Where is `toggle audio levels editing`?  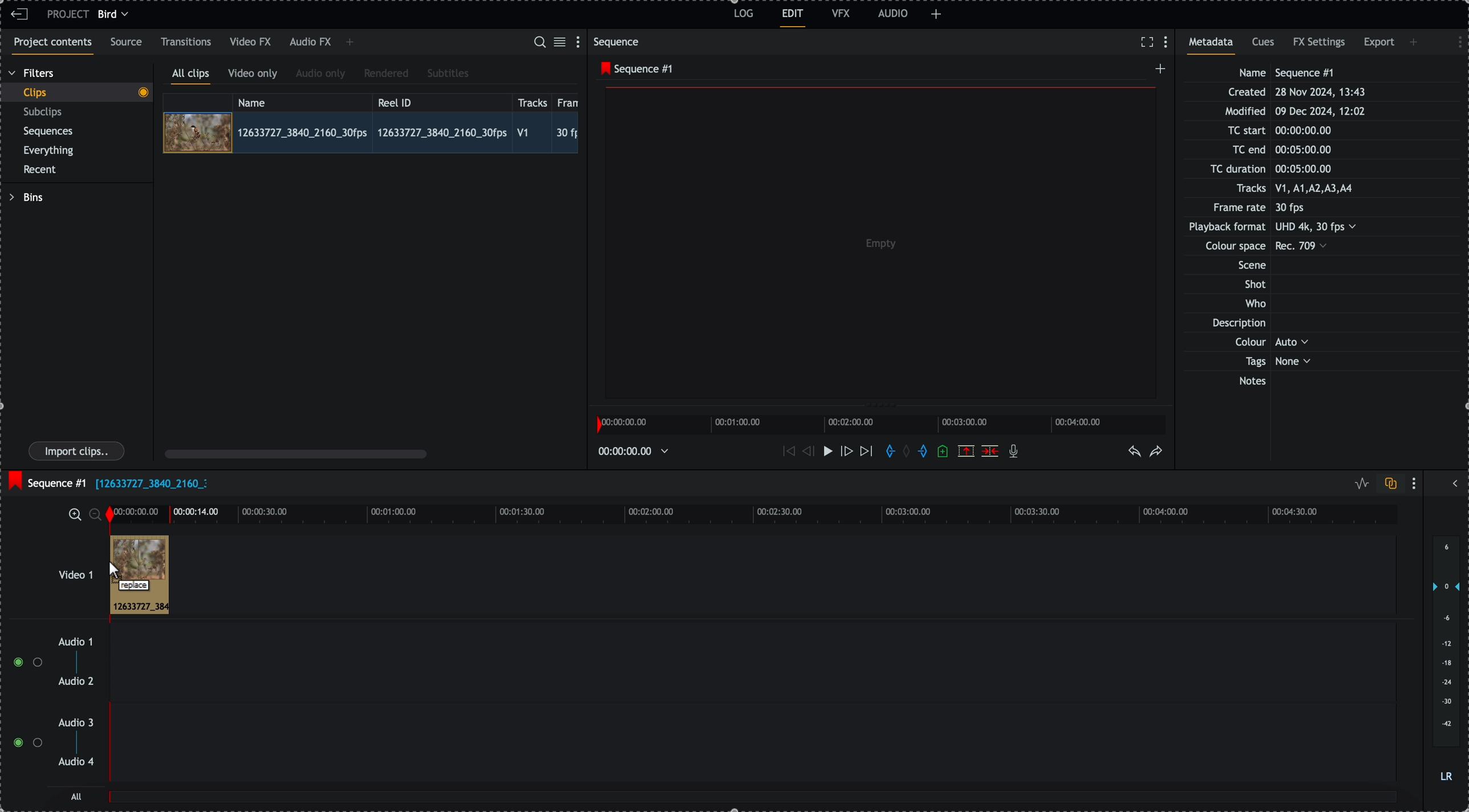
toggle audio levels editing is located at coordinates (1359, 484).